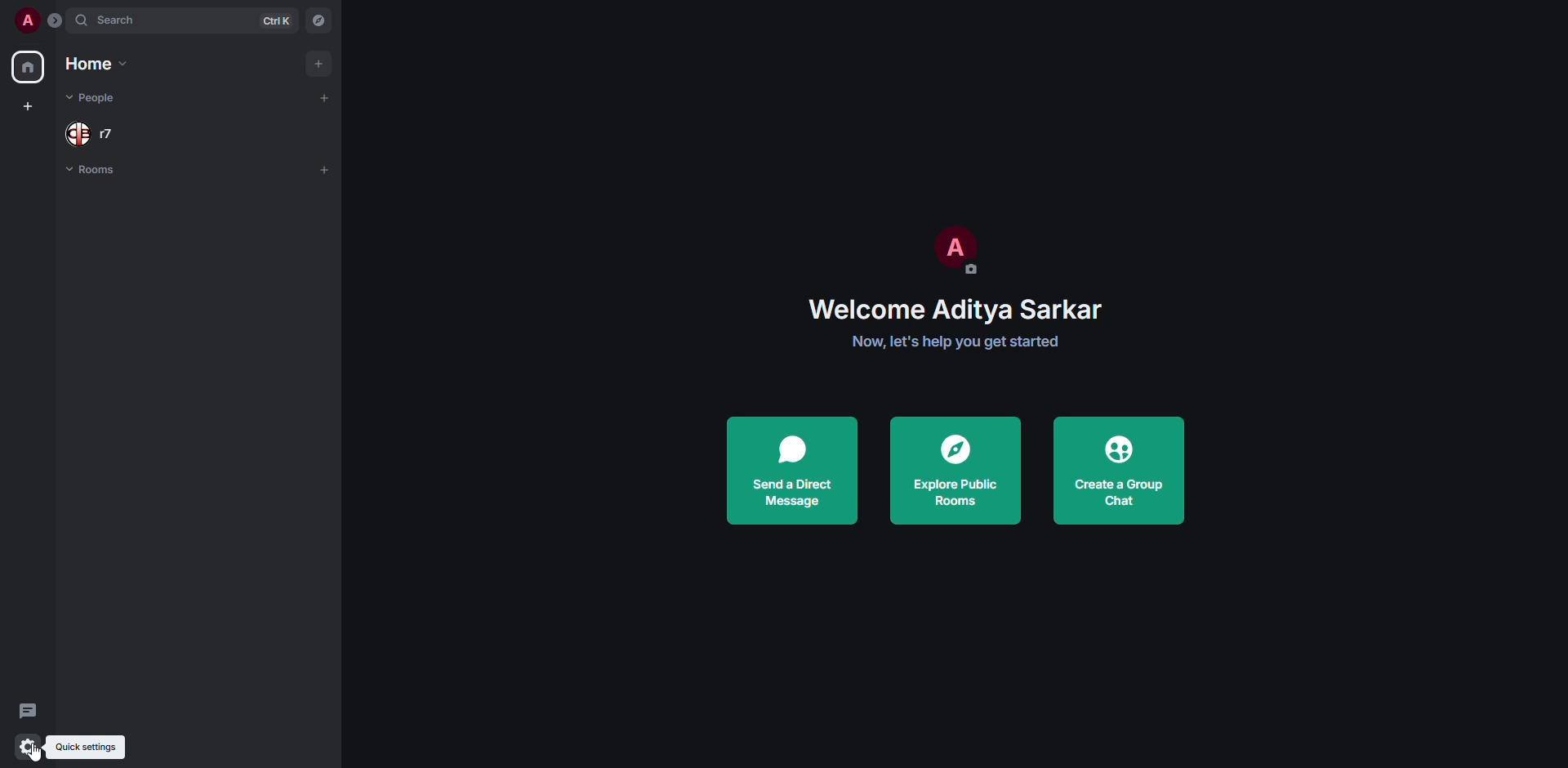 Image resolution: width=1568 pixels, height=768 pixels. Describe the element at coordinates (323, 96) in the screenshot. I see `add` at that location.